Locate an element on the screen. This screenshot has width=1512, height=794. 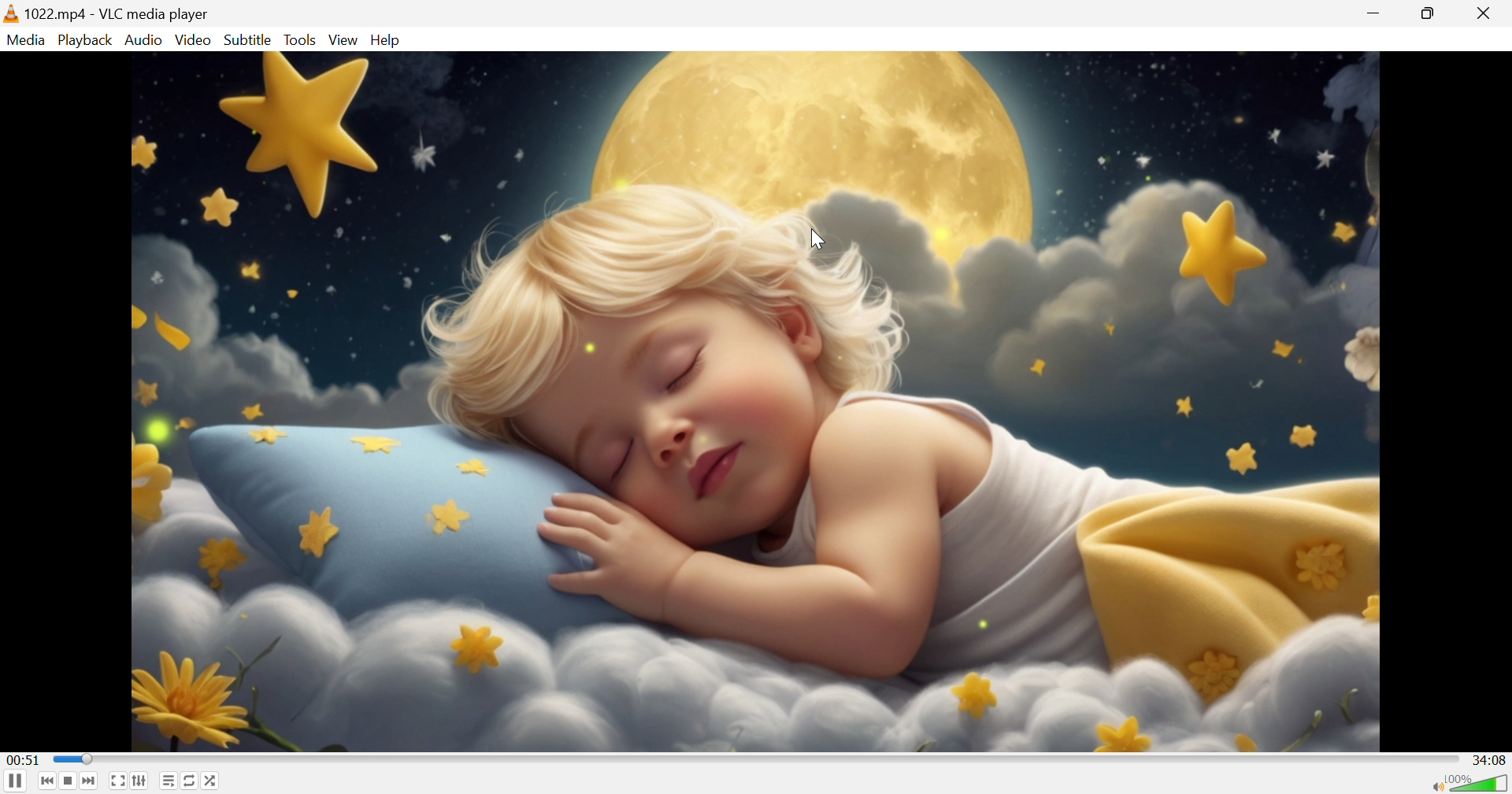
Playback is located at coordinates (83, 39).